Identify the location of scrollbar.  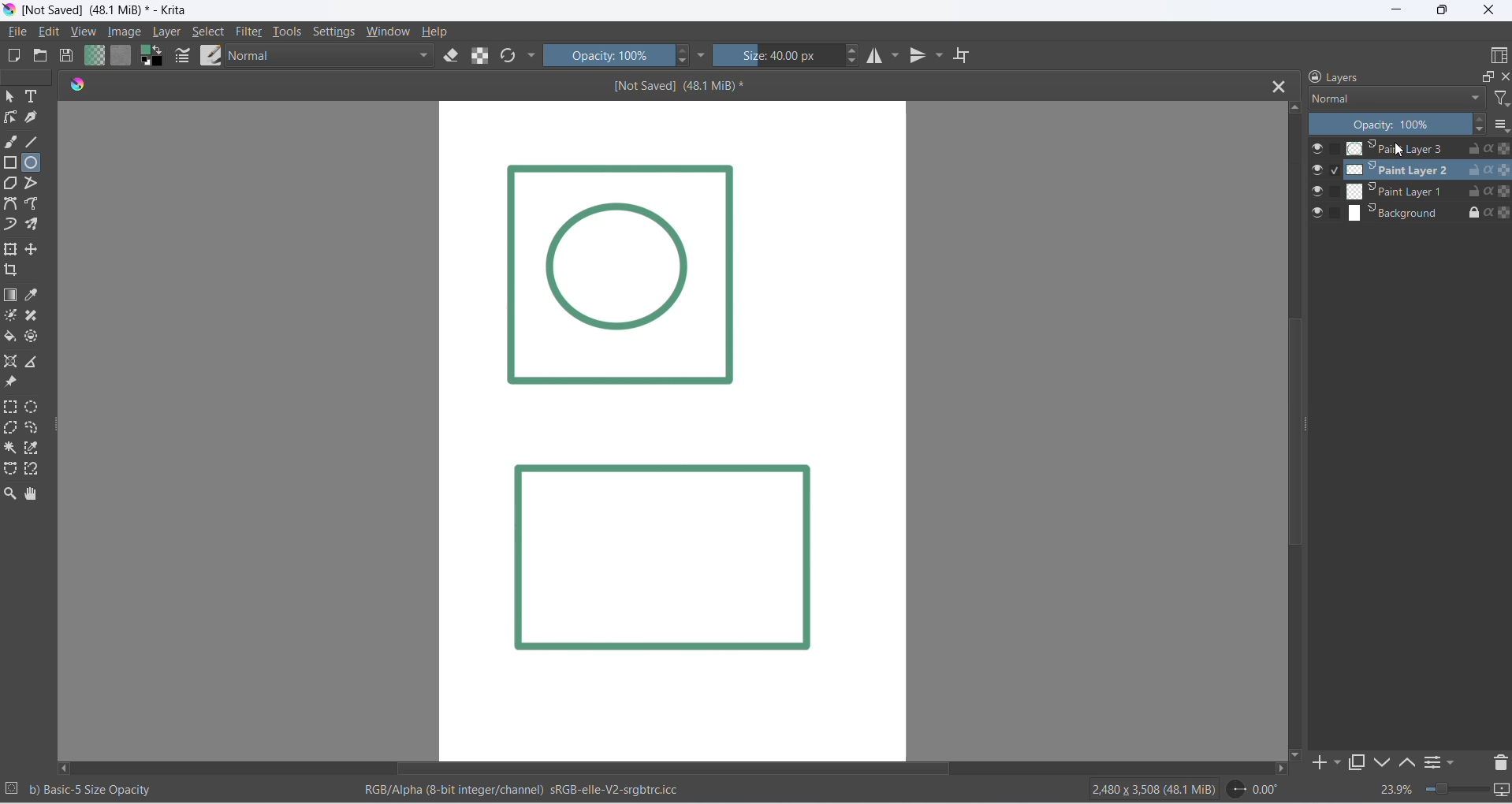
(811, 769).